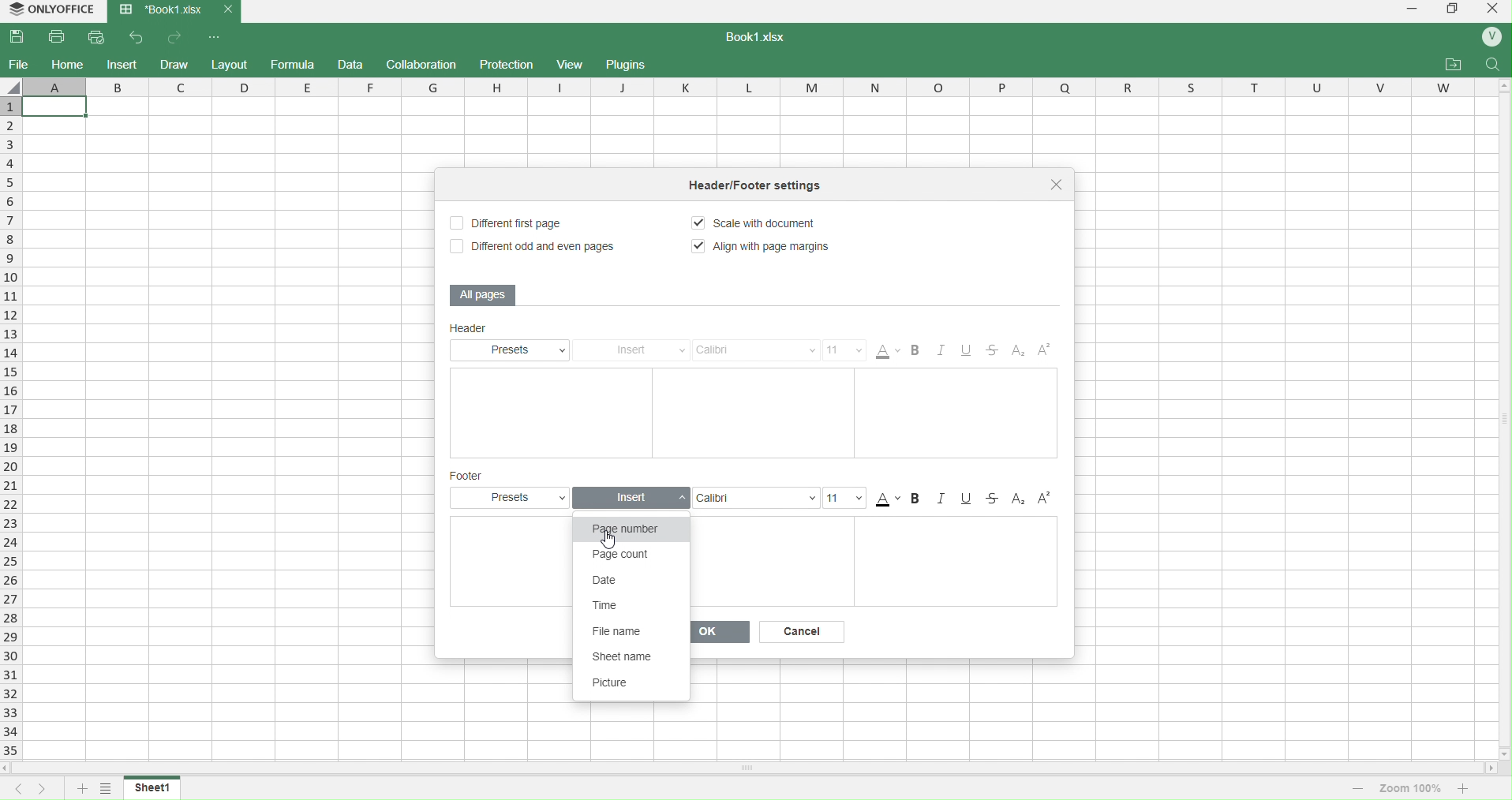 This screenshot has height=800, width=1512. Describe the element at coordinates (1491, 38) in the screenshot. I see `profile` at that location.